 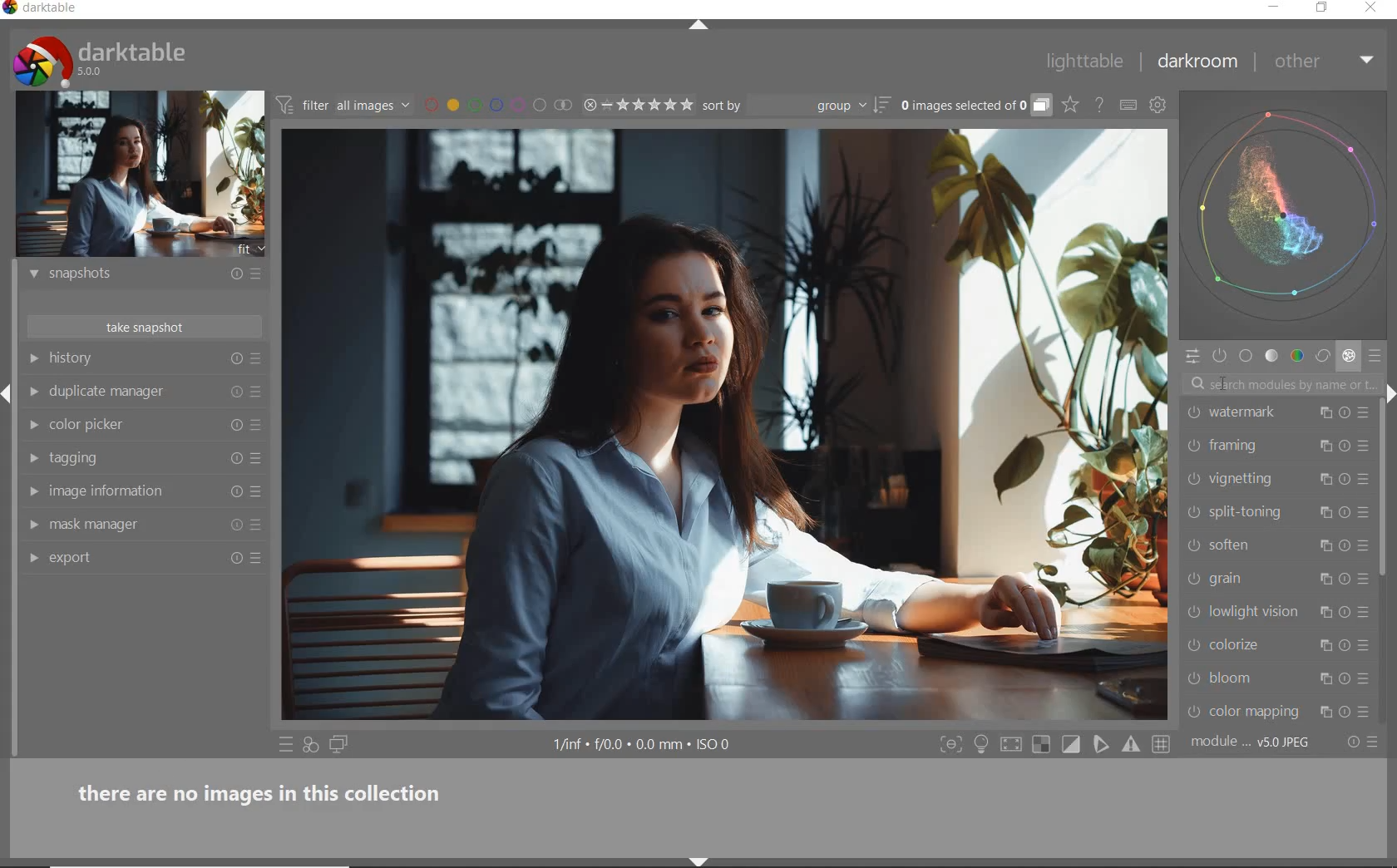 I want to click on tone, so click(x=1272, y=358).